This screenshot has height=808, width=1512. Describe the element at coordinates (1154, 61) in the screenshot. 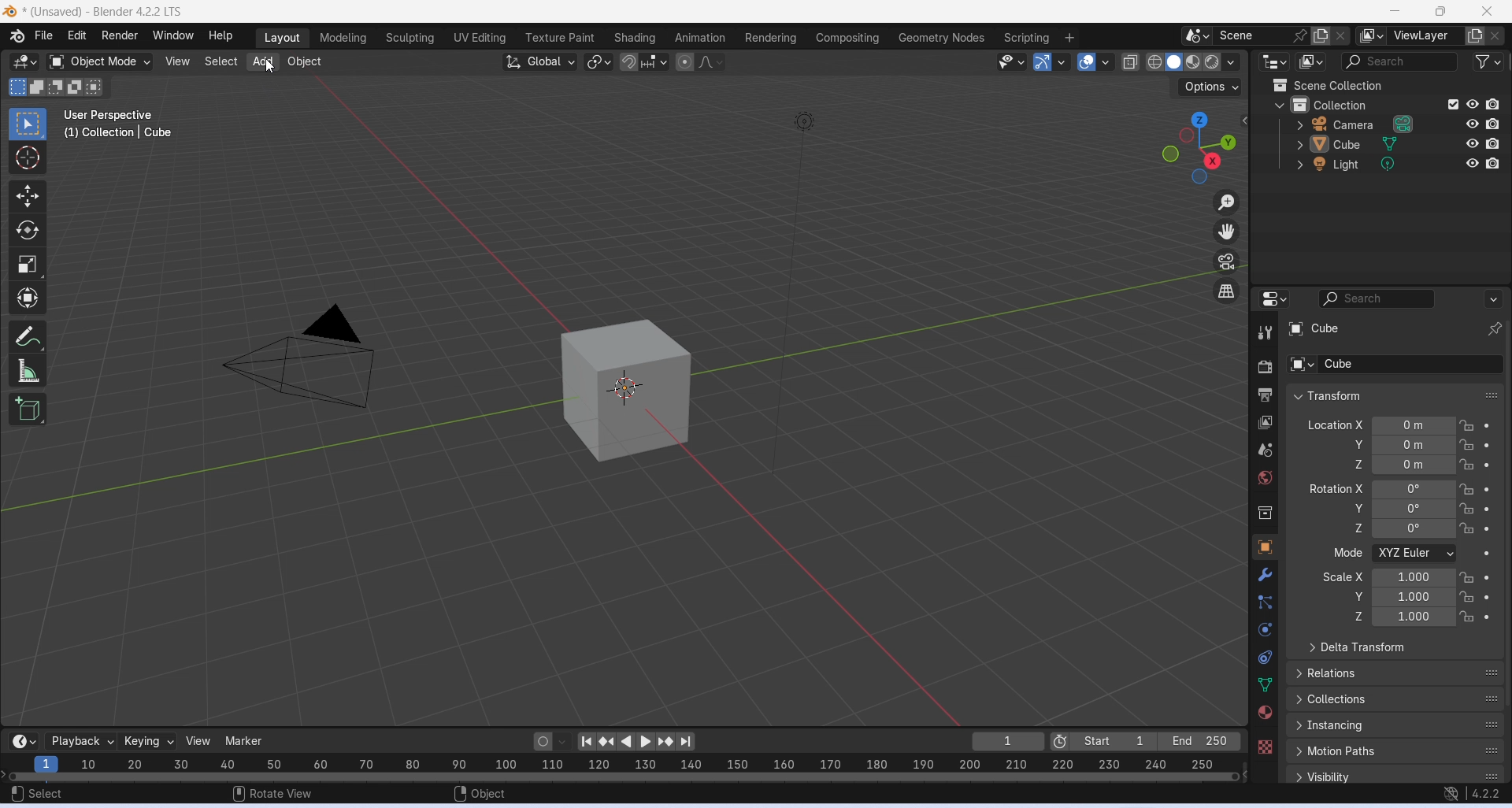

I see `wireframe viewport shading` at that location.